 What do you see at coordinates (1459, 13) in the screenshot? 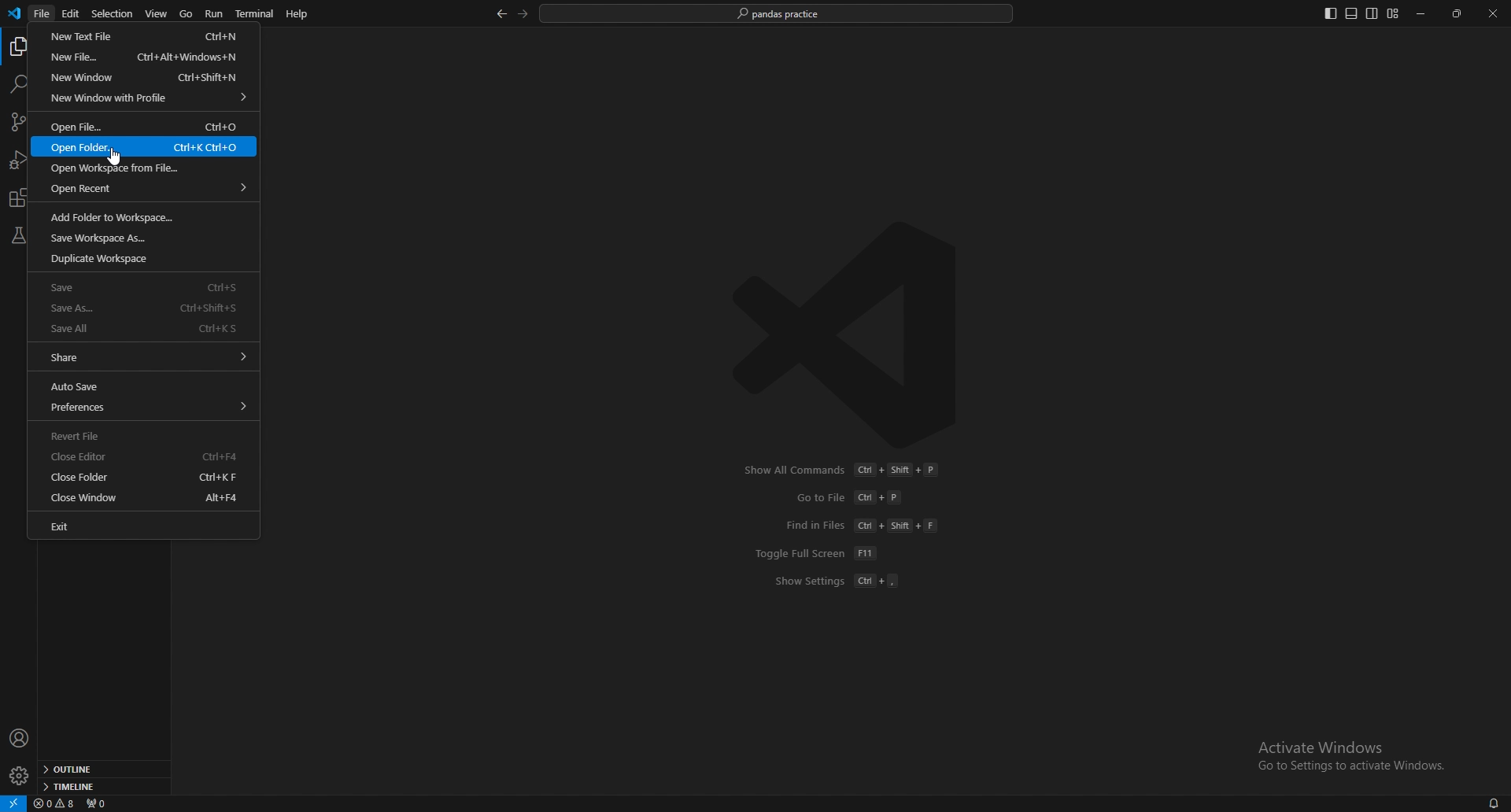
I see `resize` at bounding box center [1459, 13].